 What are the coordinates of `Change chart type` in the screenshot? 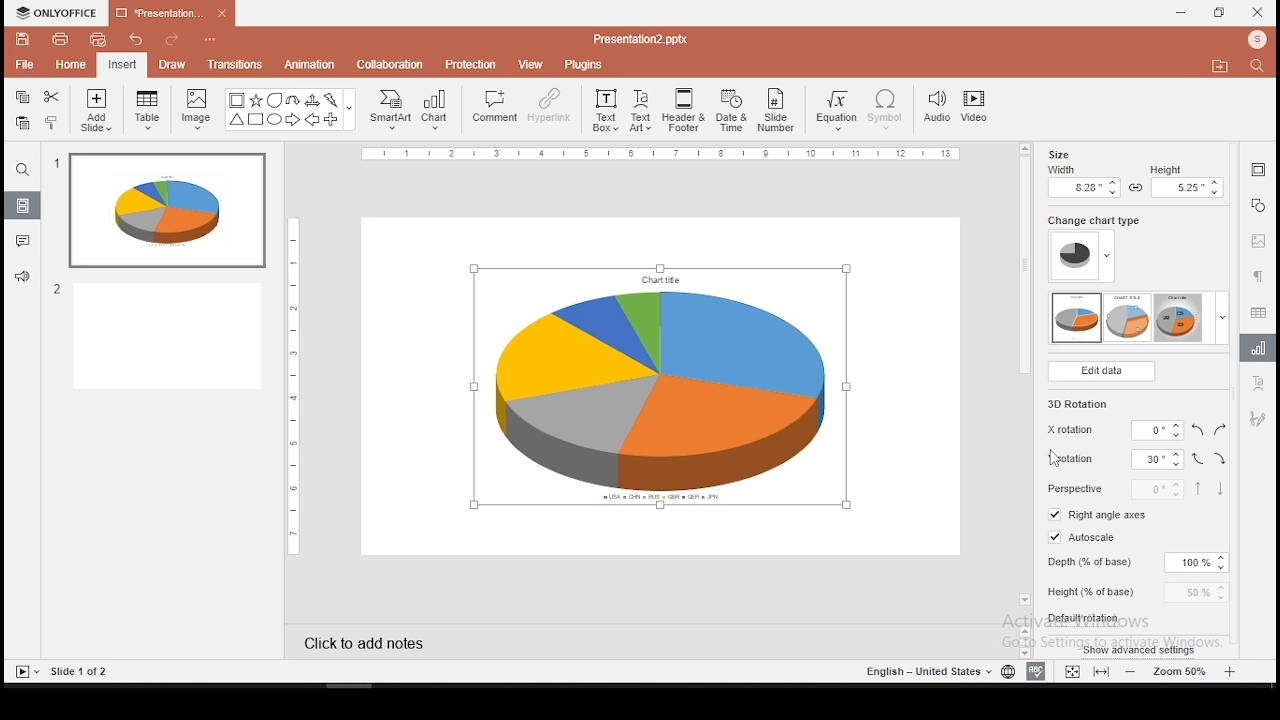 It's located at (1090, 220).